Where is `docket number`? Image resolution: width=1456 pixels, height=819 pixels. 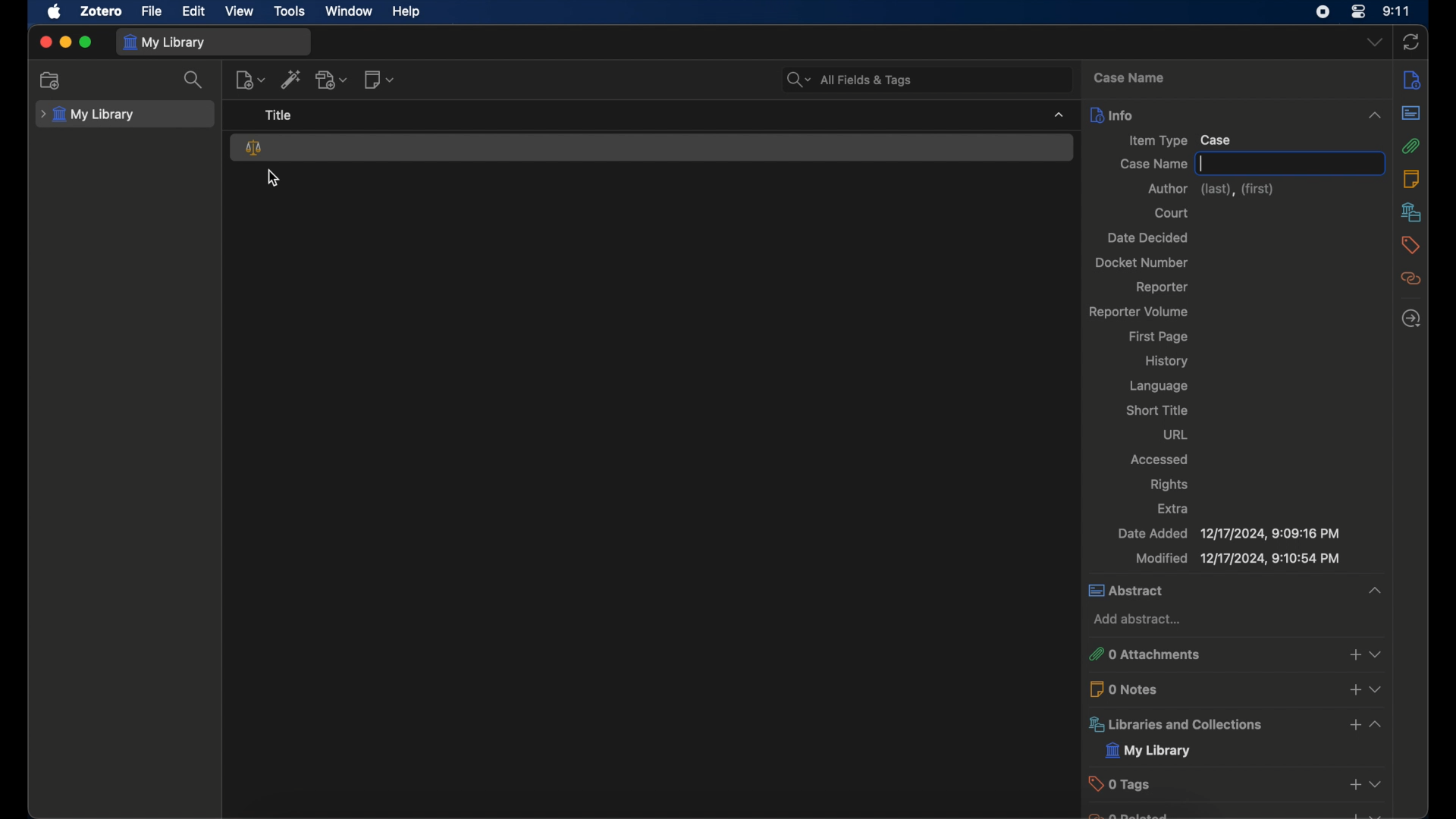
docket number is located at coordinates (1141, 263).